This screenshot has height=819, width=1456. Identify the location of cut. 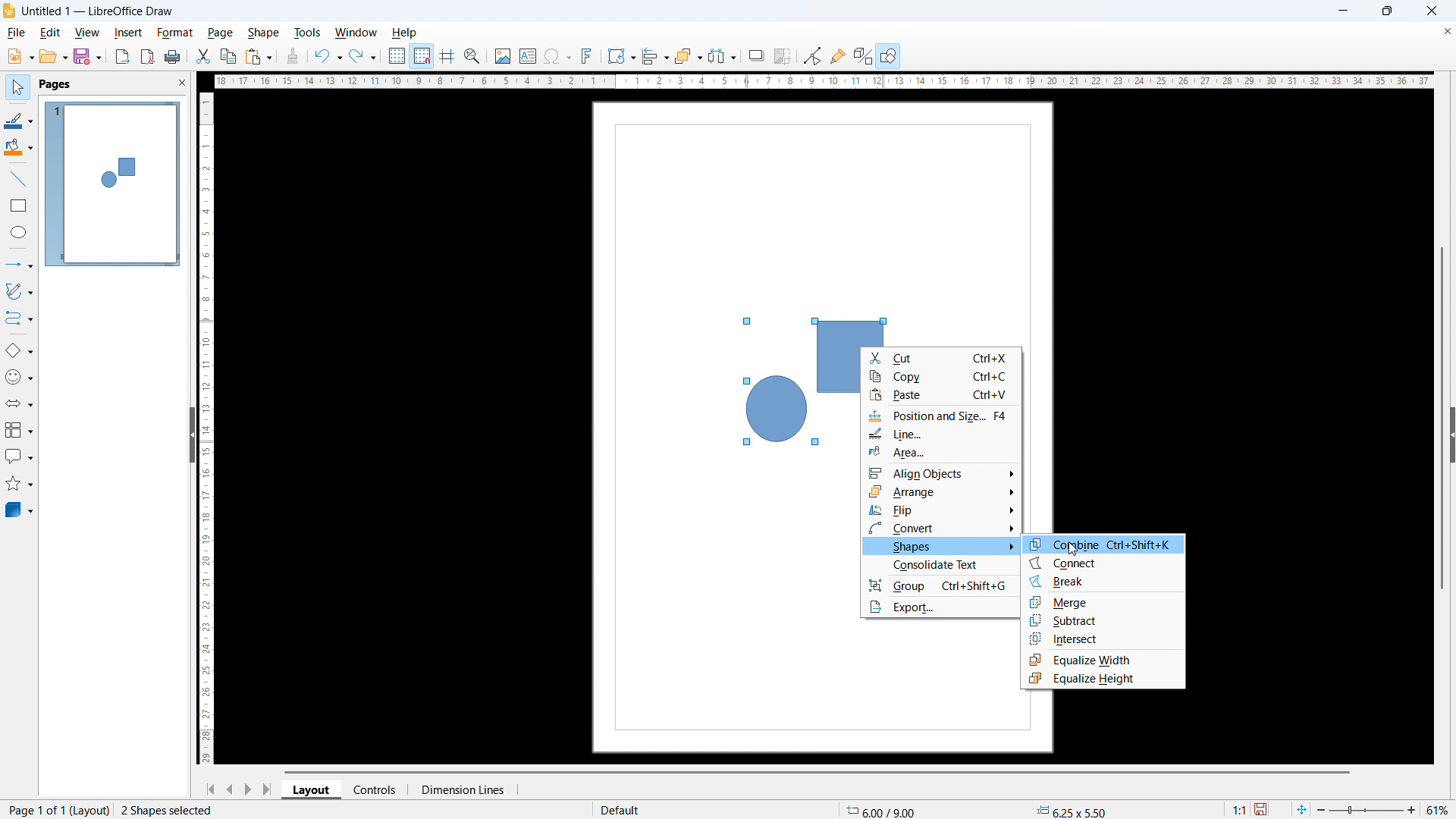
(204, 57).